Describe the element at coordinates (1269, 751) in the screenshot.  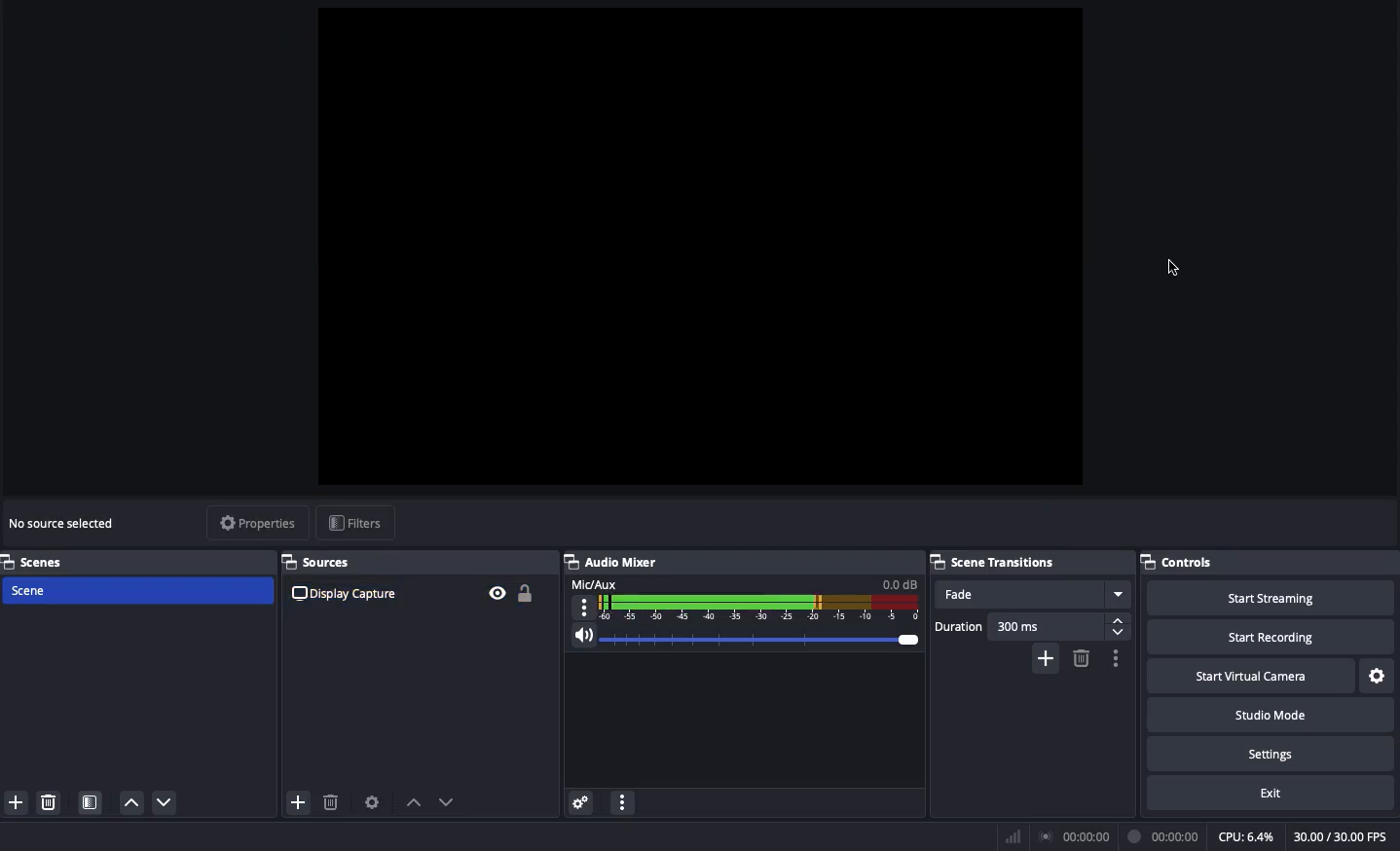
I see `Settings` at that location.